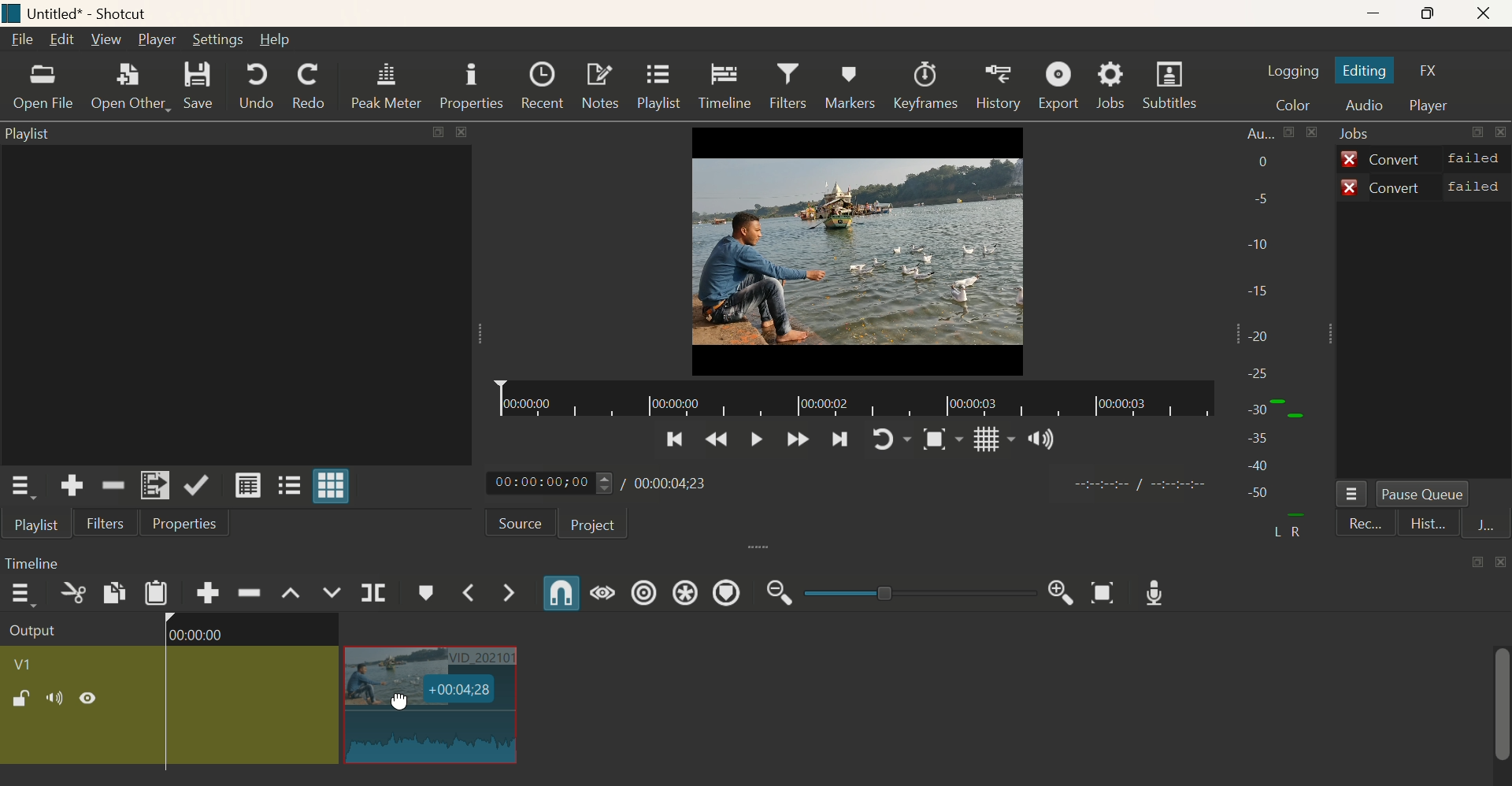 The height and width of the screenshot is (786, 1512). I want to click on , so click(103, 525).